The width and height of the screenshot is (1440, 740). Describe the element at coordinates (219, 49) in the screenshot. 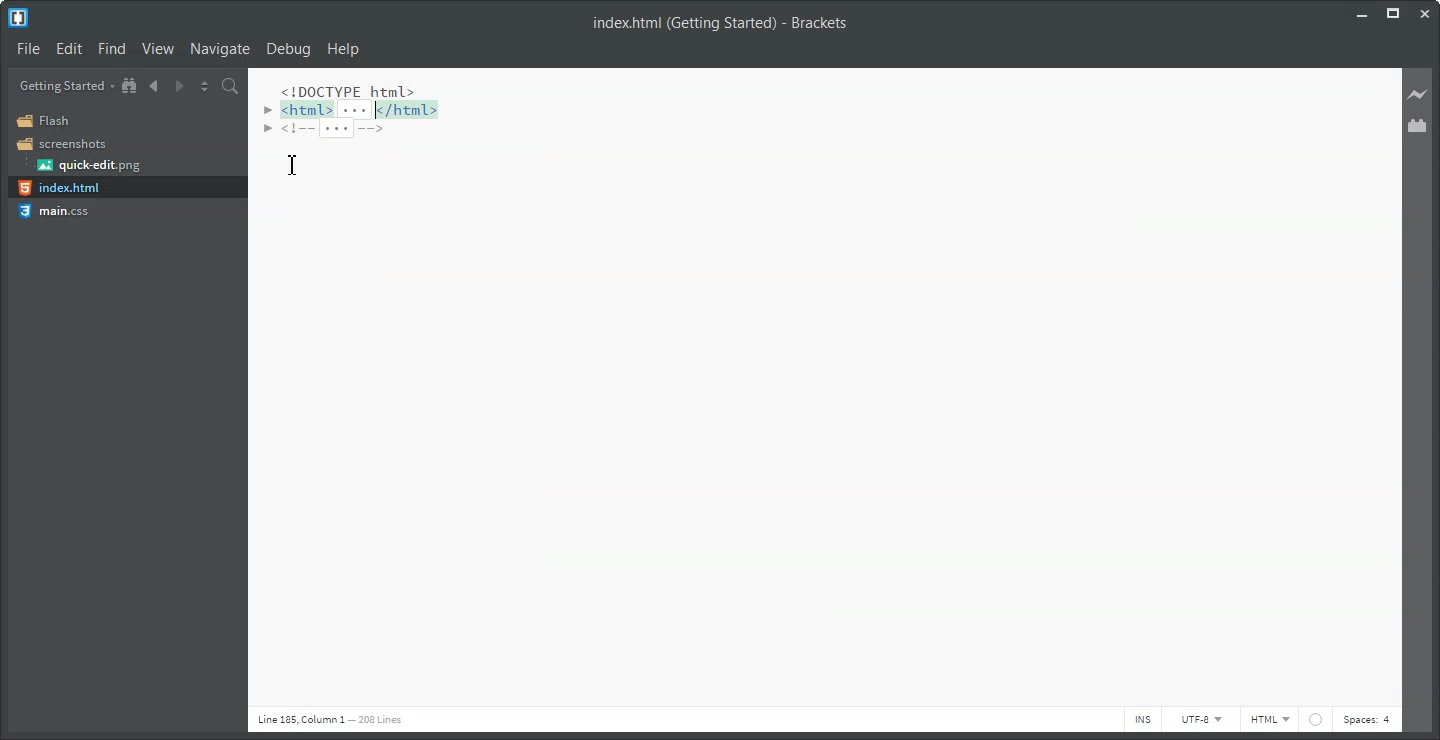

I see `Navigate` at that location.